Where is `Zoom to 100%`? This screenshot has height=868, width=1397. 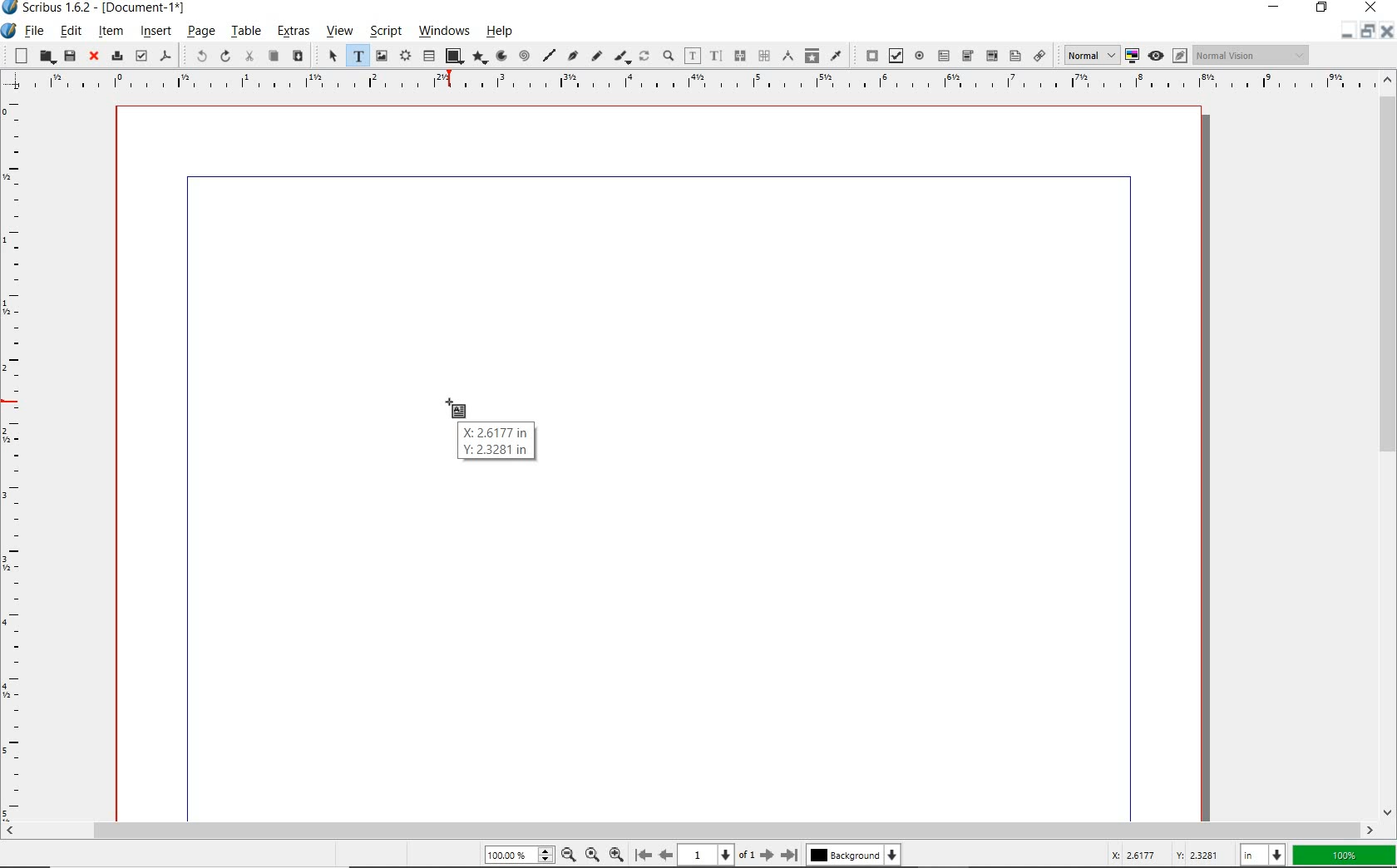 Zoom to 100% is located at coordinates (593, 856).